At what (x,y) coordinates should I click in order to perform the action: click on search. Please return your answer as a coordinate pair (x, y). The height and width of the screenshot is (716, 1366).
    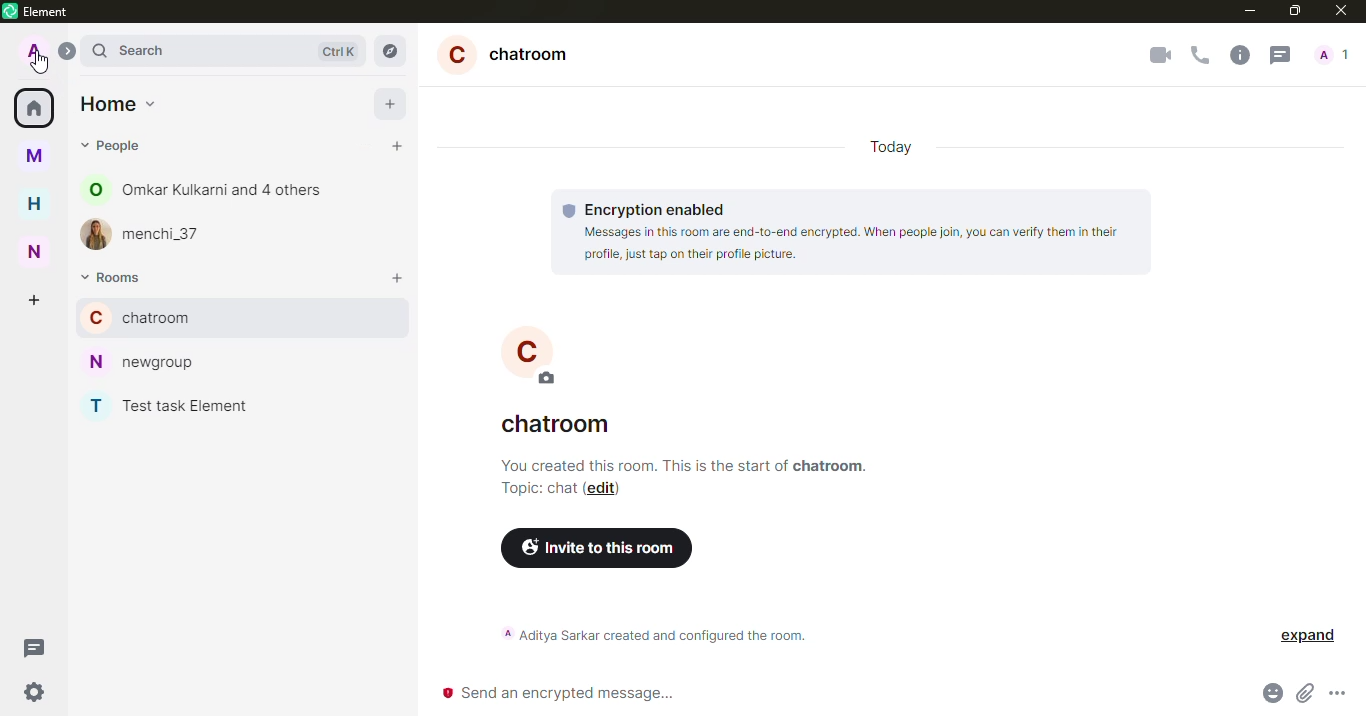
    Looking at the image, I should click on (152, 49).